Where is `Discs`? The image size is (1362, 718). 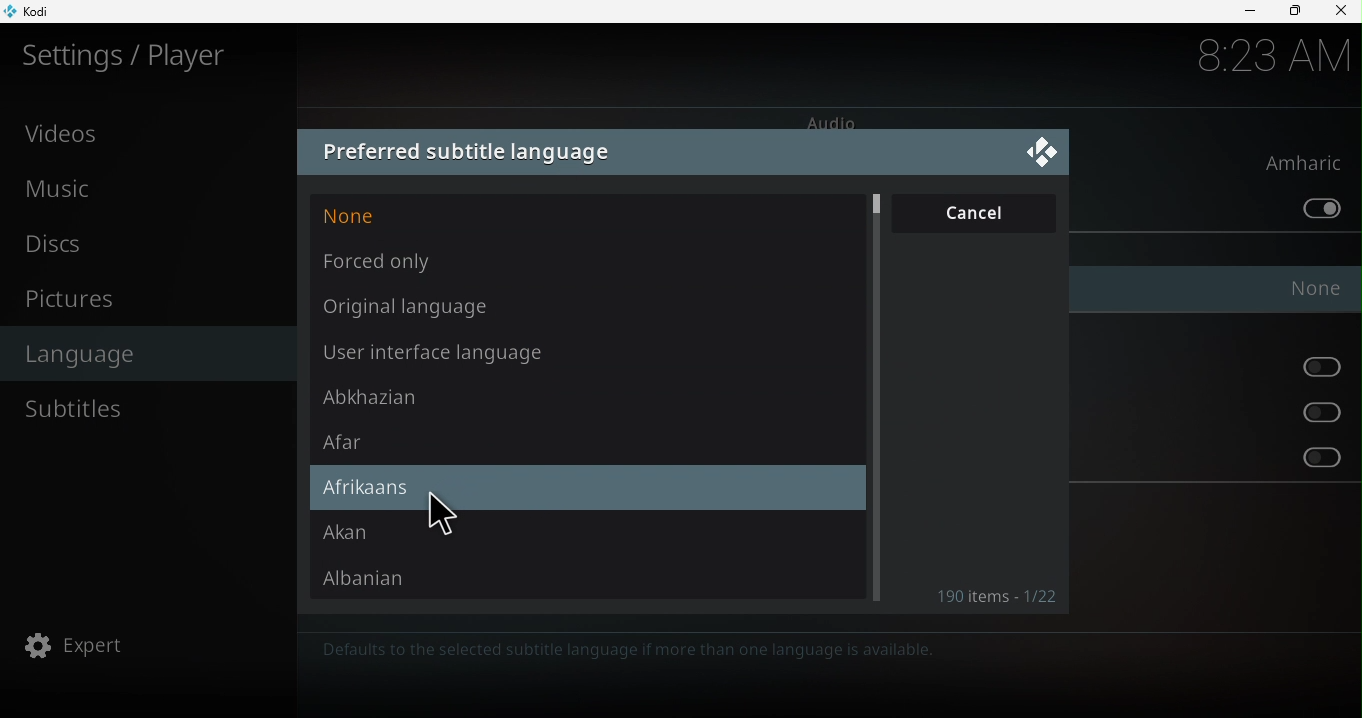 Discs is located at coordinates (140, 248).